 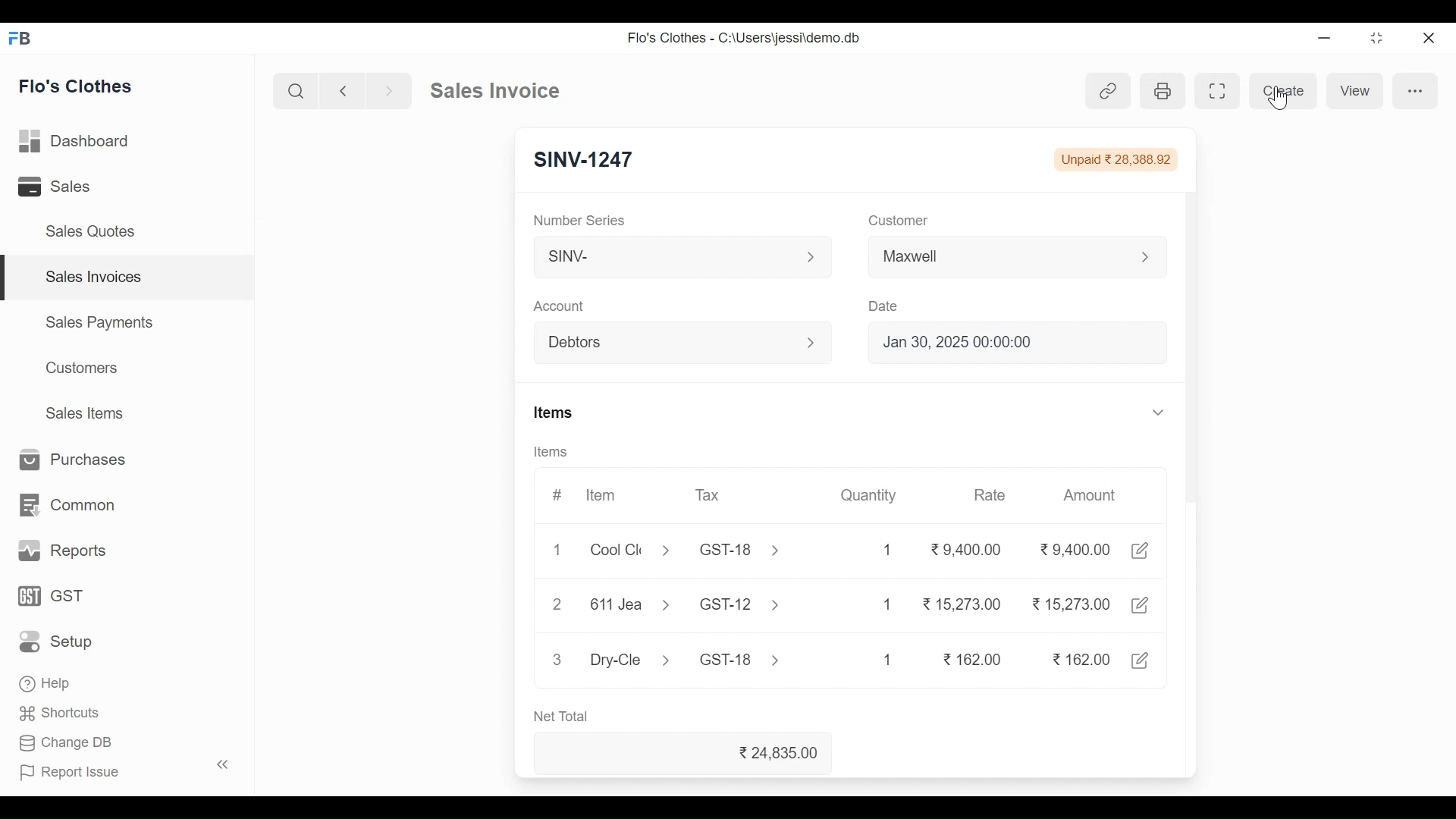 What do you see at coordinates (685, 549) in the screenshot?
I see `Cool Cle > GST-18 >` at bounding box center [685, 549].